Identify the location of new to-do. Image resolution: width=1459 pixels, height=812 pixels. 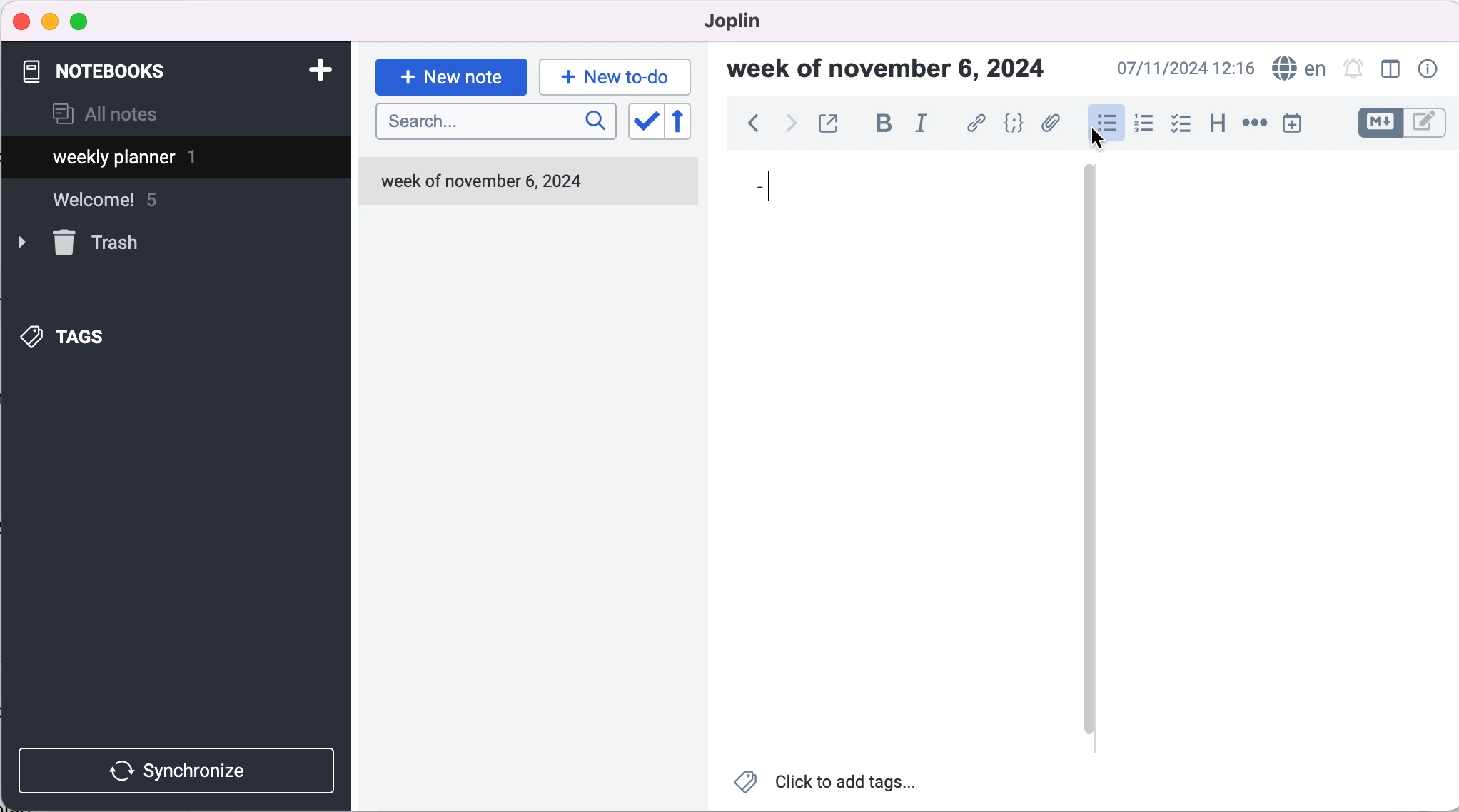
(612, 76).